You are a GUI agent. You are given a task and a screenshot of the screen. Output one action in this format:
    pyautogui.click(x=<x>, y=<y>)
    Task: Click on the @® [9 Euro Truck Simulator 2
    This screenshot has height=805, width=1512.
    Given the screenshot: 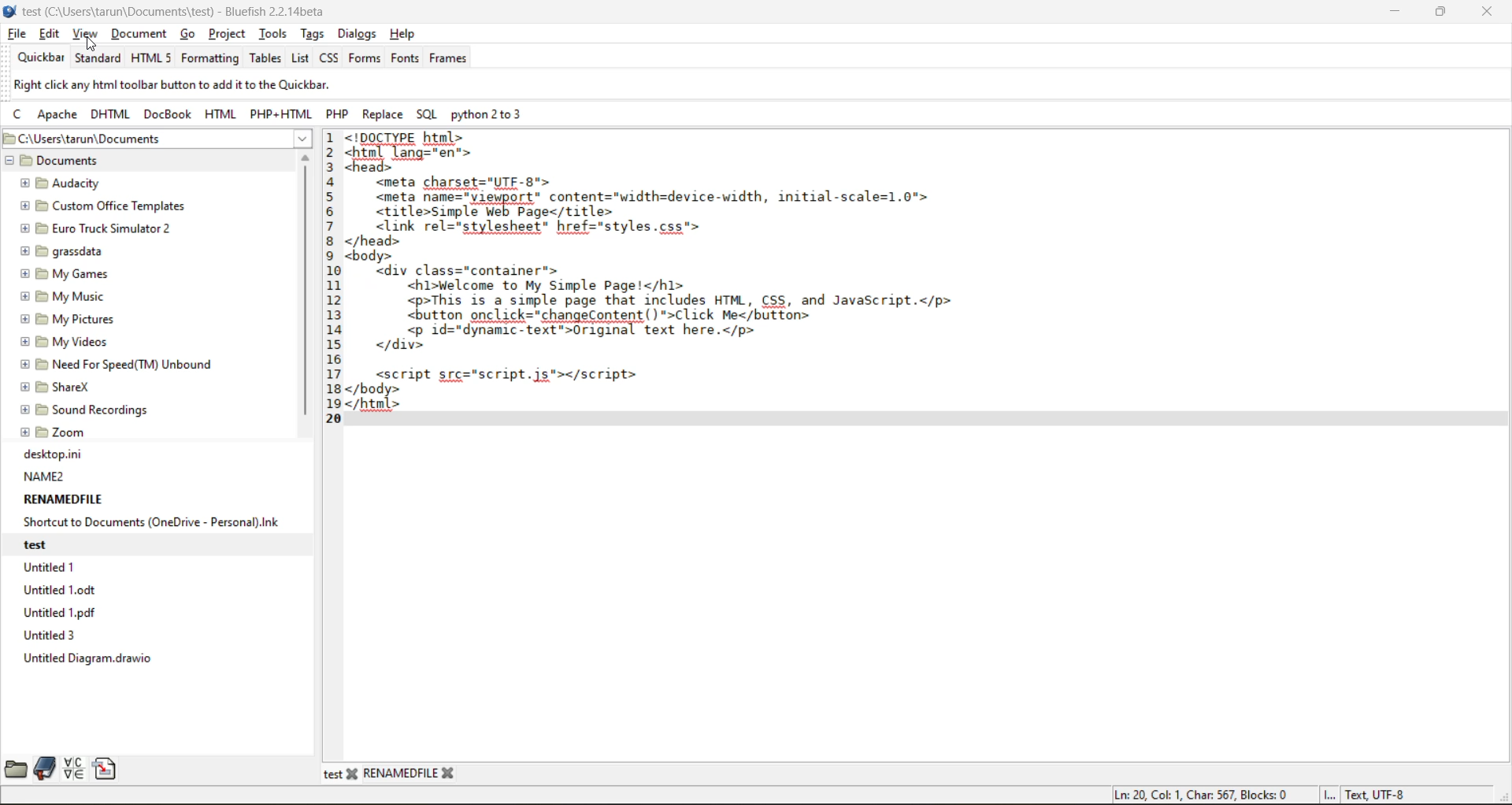 What is the action you would take?
    pyautogui.click(x=94, y=228)
    